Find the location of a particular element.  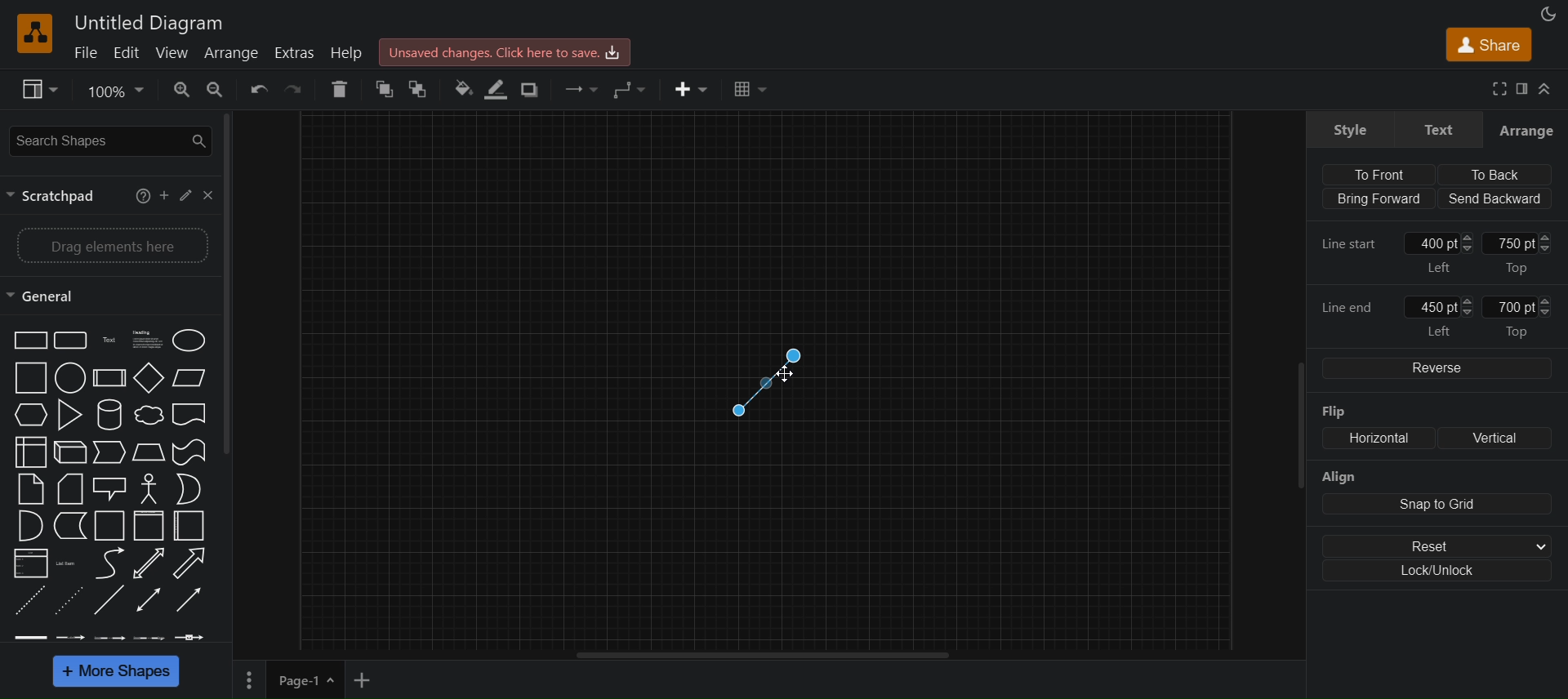

connector 1 is located at coordinates (29, 637).